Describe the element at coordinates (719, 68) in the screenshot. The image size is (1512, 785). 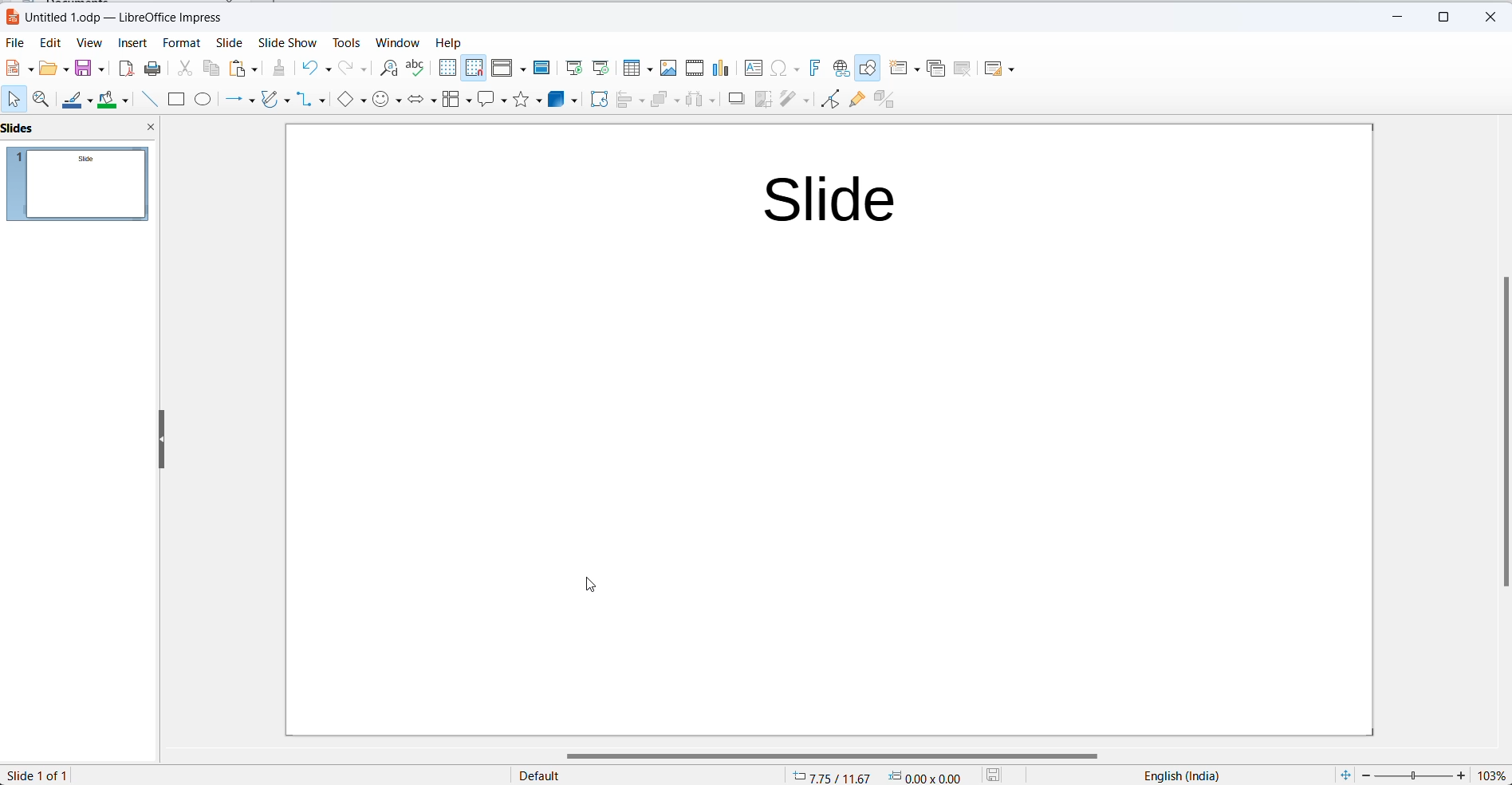
I see `insert chart` at that location.